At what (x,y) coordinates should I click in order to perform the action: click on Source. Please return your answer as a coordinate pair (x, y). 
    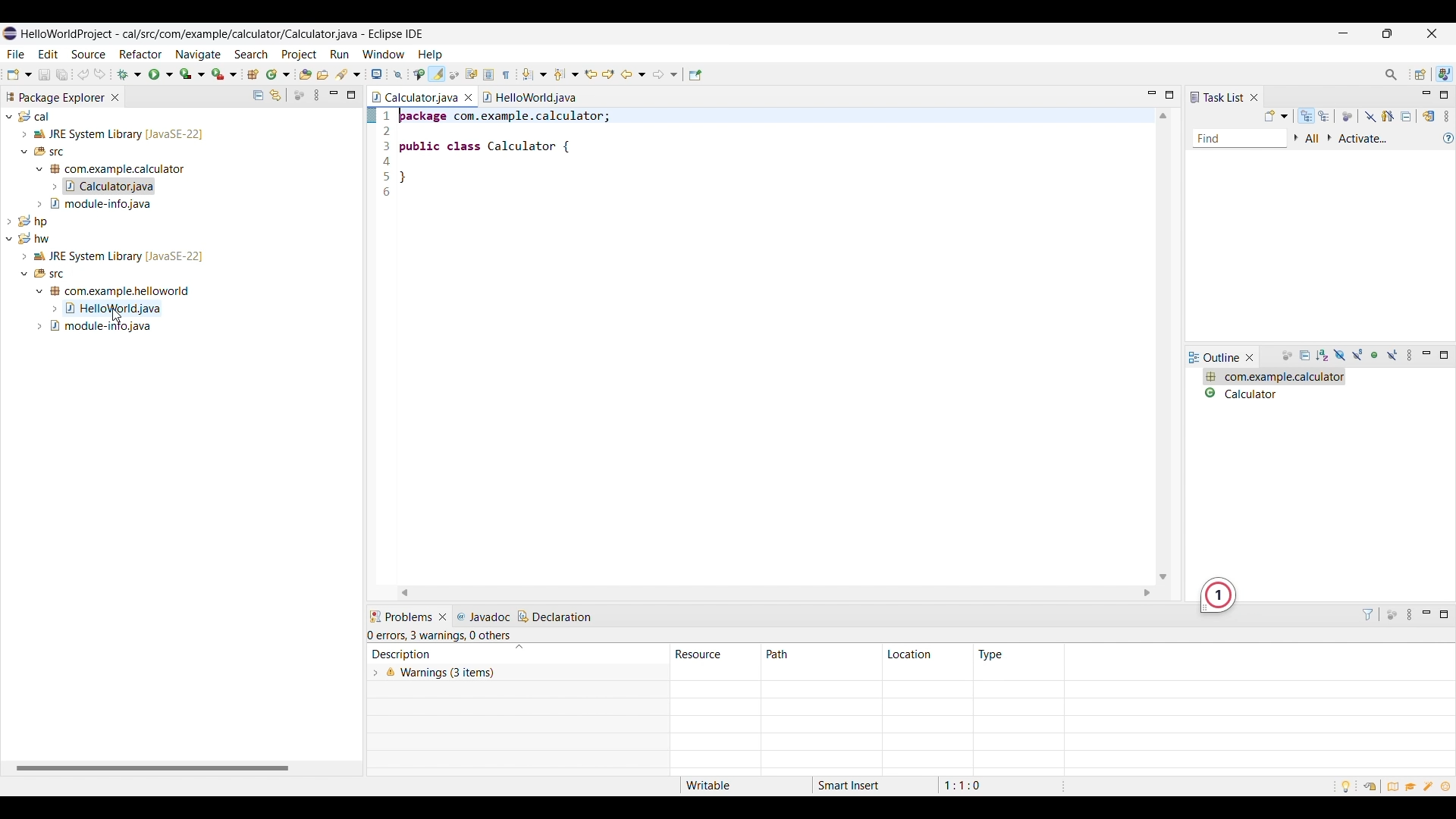
    Looking at the image, I should click on (88, 54).